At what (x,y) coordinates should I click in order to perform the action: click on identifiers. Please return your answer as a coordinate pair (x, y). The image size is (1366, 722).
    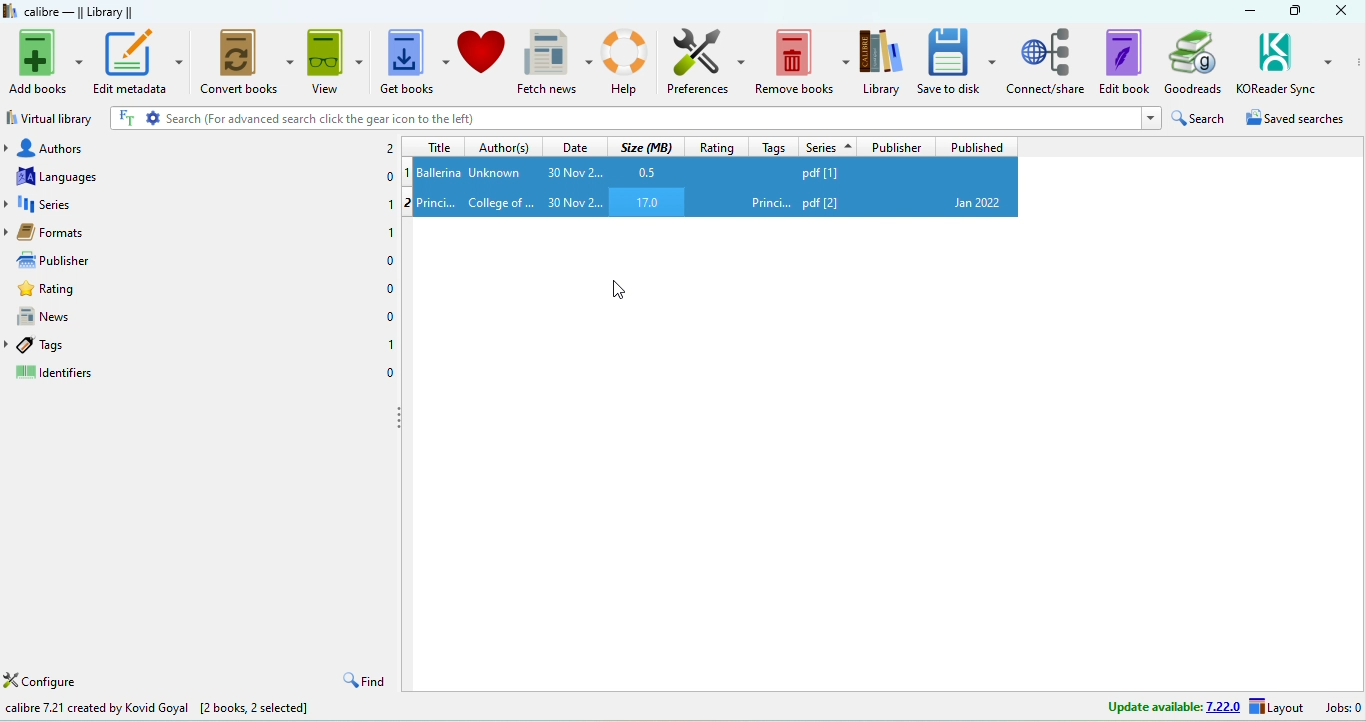
    Looking at the image, I should click on (61, 374).